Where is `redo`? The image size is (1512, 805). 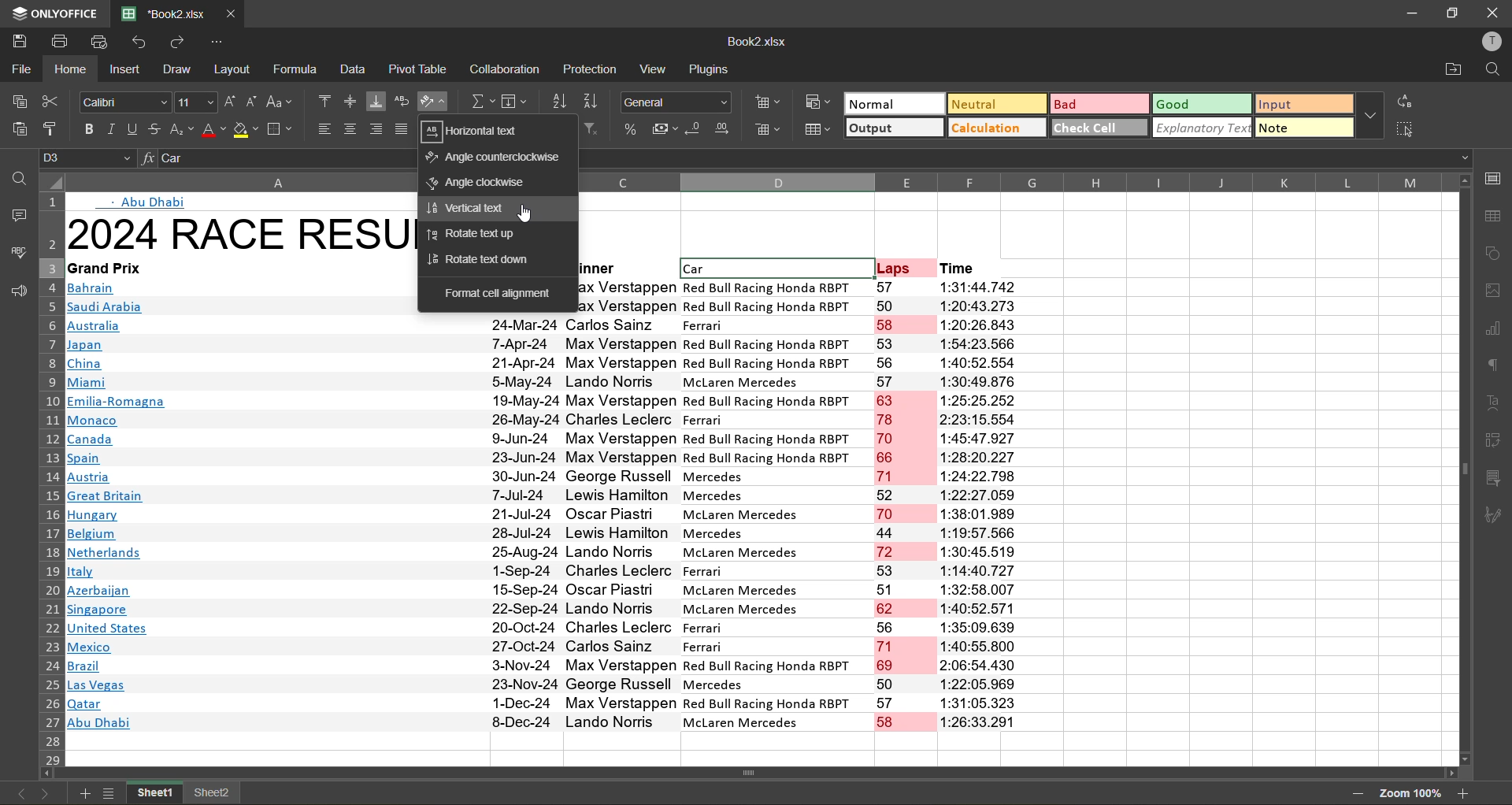 redo is located at coordinates (178, 43).